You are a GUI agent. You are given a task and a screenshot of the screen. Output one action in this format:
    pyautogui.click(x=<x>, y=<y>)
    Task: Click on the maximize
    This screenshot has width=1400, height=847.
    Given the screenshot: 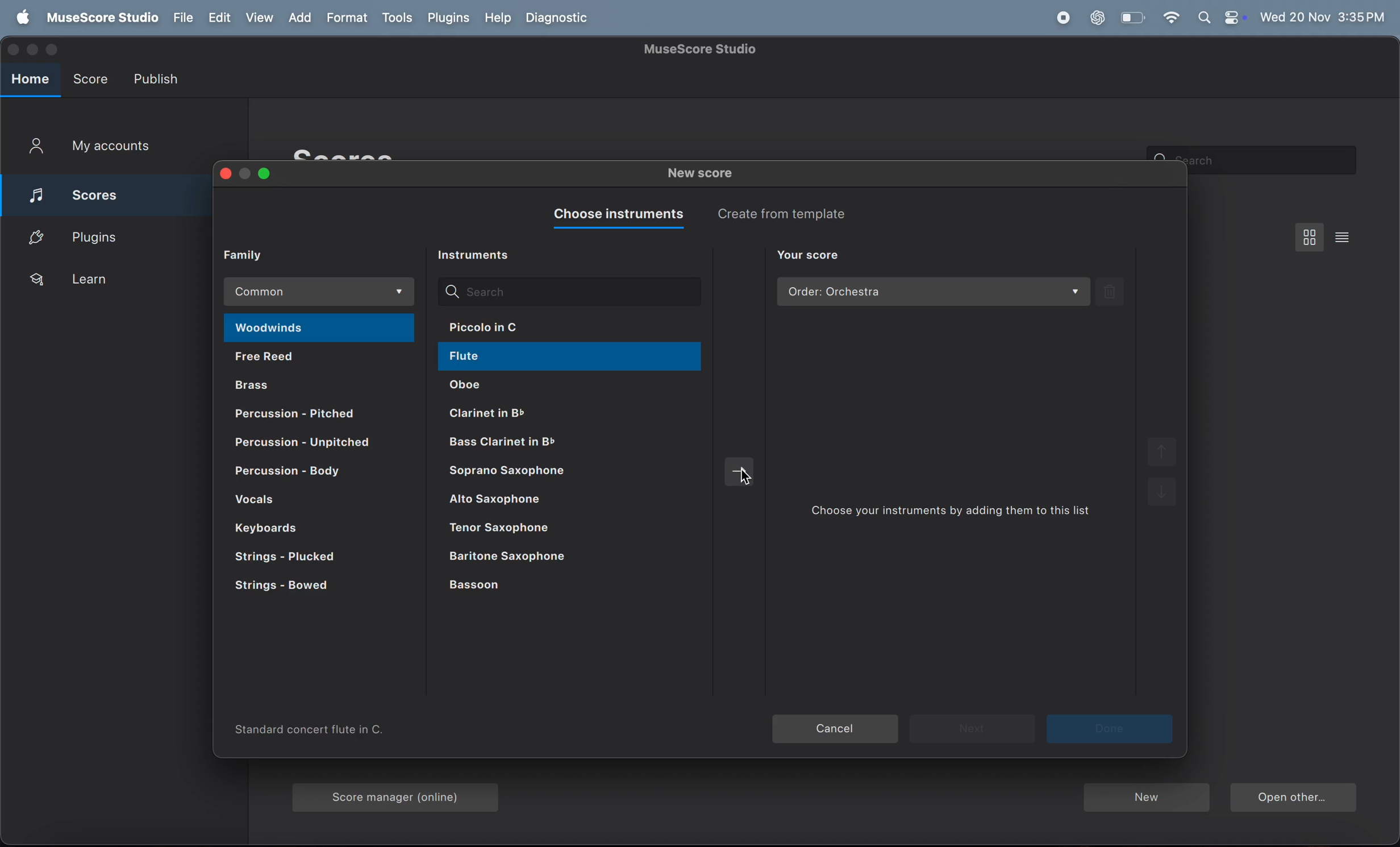 What is the action you would take?
    pyautogui.click(x=53, y=49)
    